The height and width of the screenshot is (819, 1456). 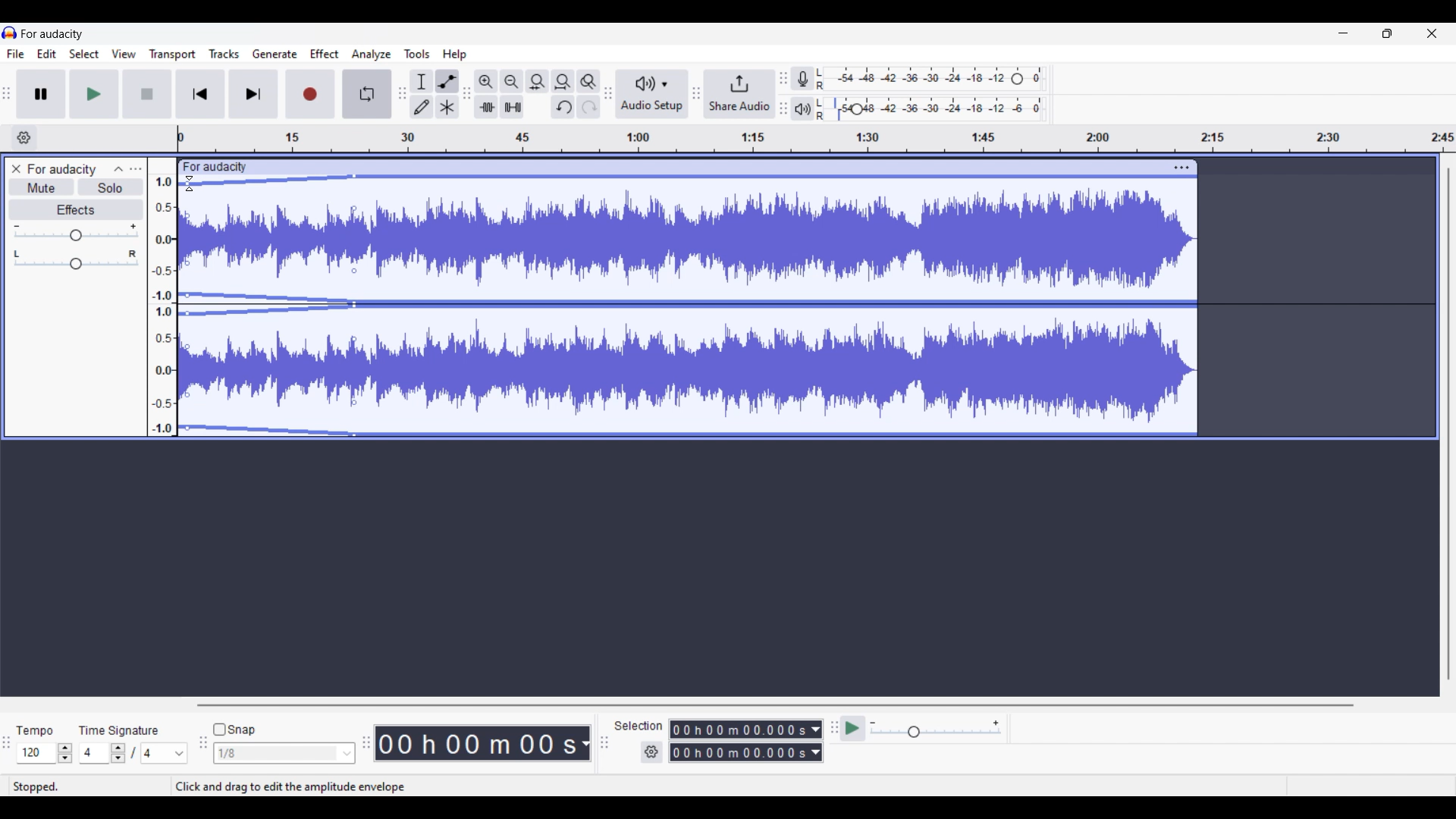 I want to click on Snap options, so click(x=284, y=754).